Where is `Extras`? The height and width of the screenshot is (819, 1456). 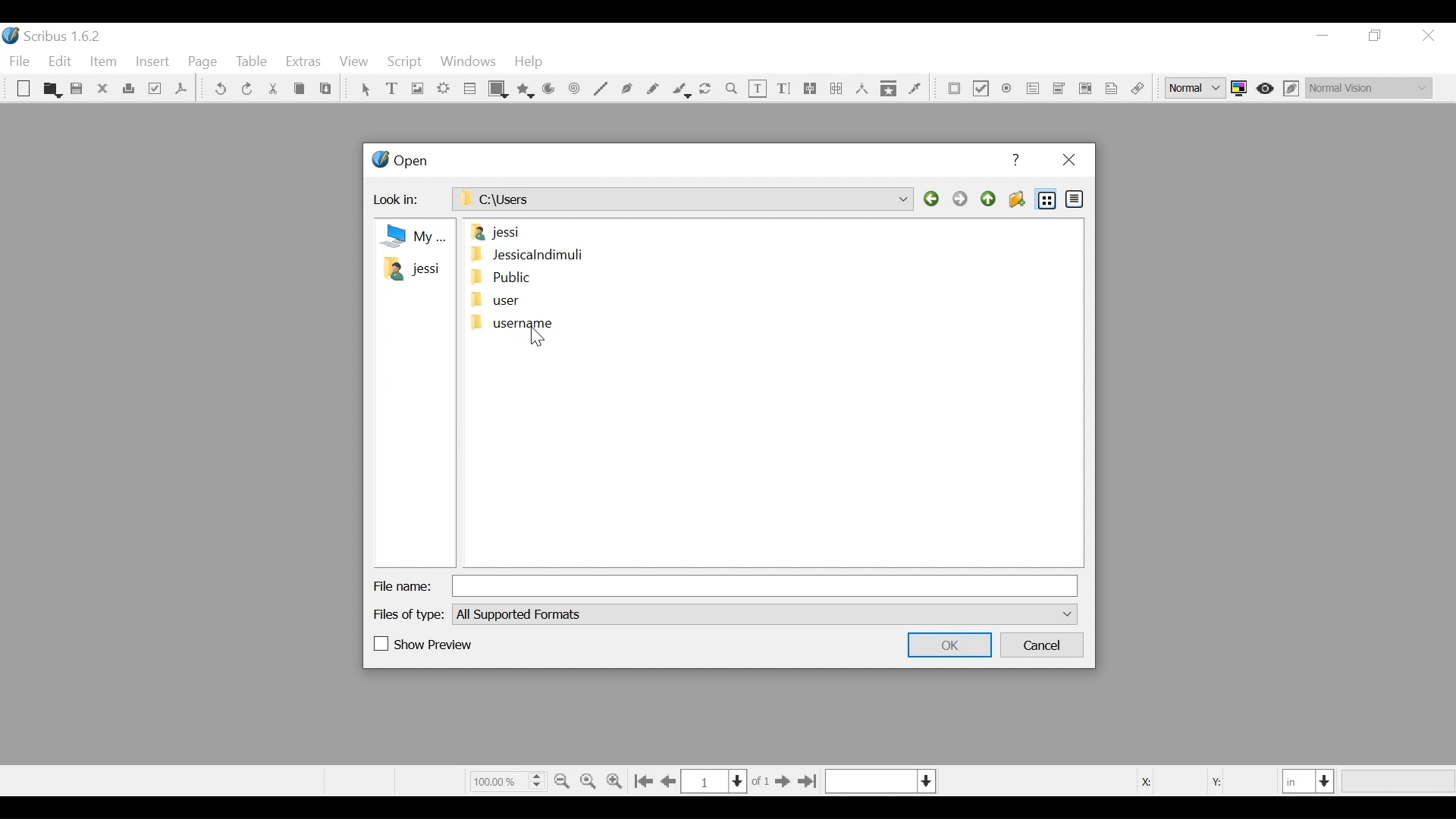
Extras is located at coordinates (303, 63).